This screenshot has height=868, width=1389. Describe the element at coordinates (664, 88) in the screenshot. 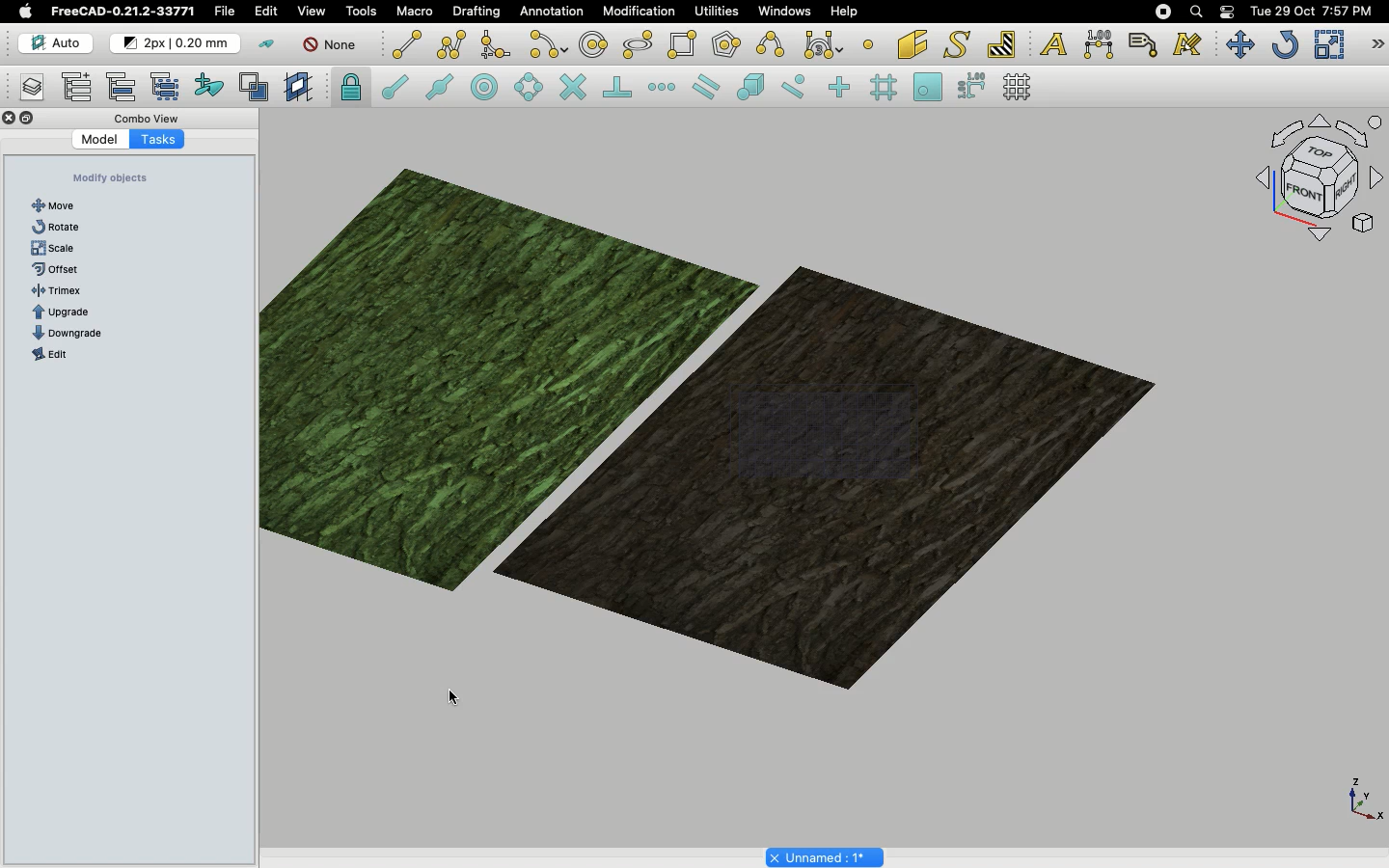

I see `Snap extension` at that location.